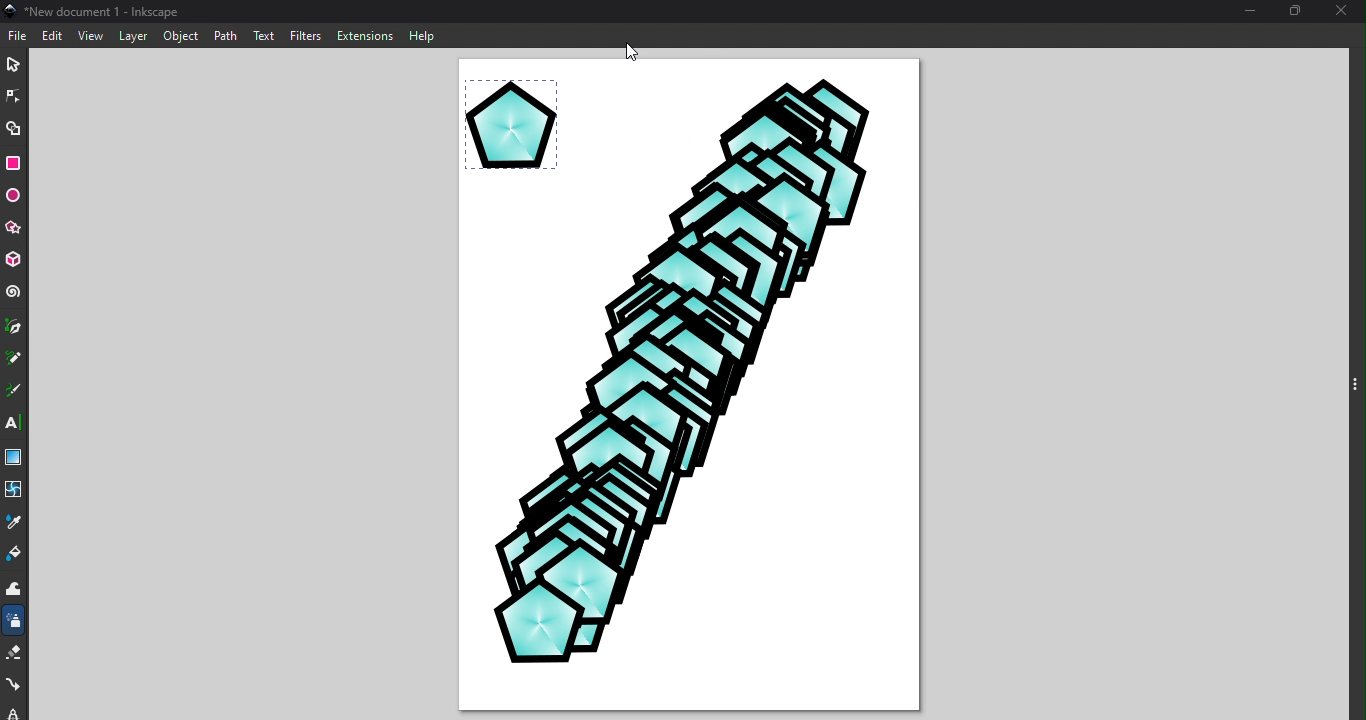 This screenshot has height=720, width=1366. I want to click on Connector tool, so click(16, 682).